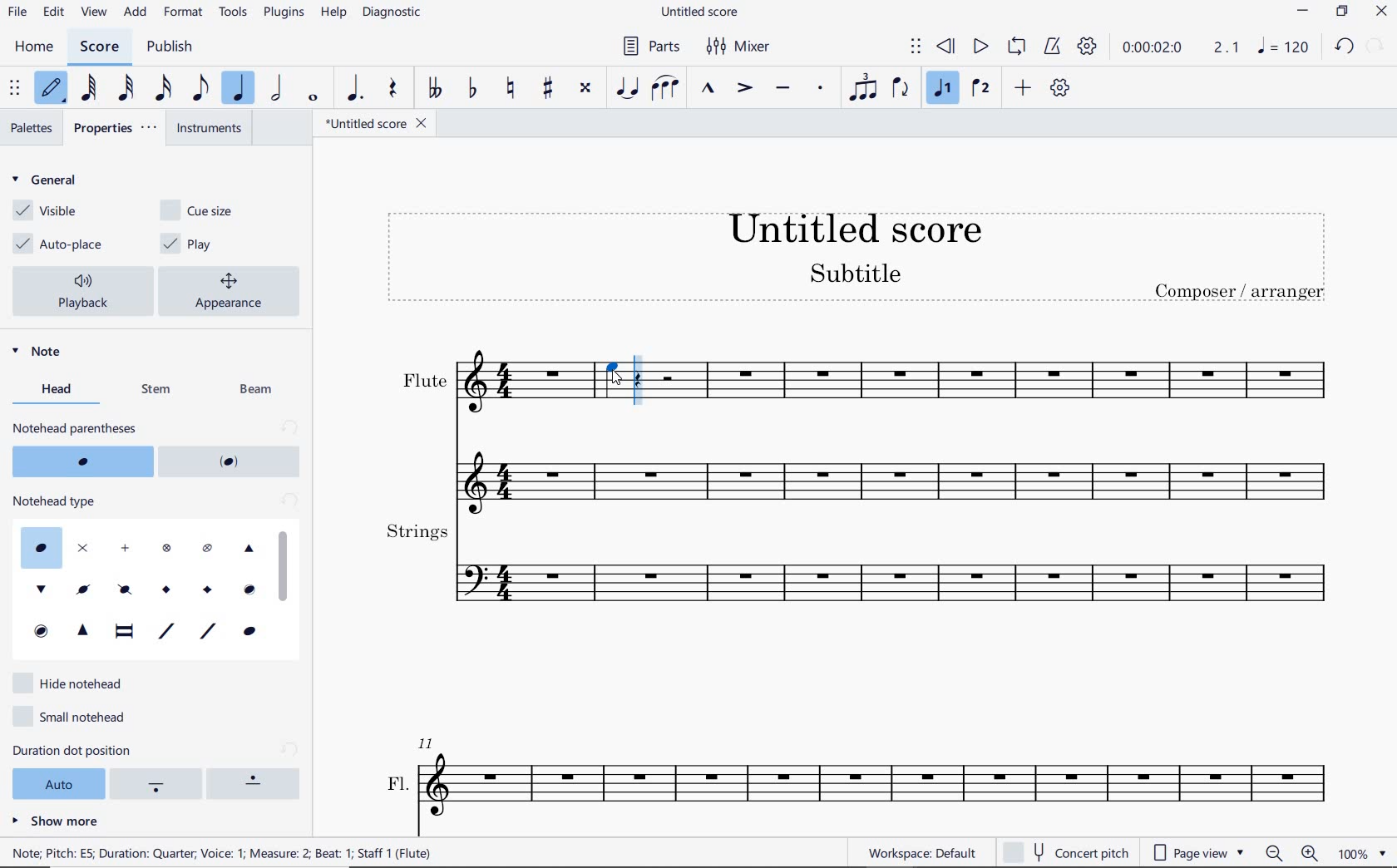  Describe the element at coordinates (90, 88) in the screenshot. I see `64TH NOTE` at that location.